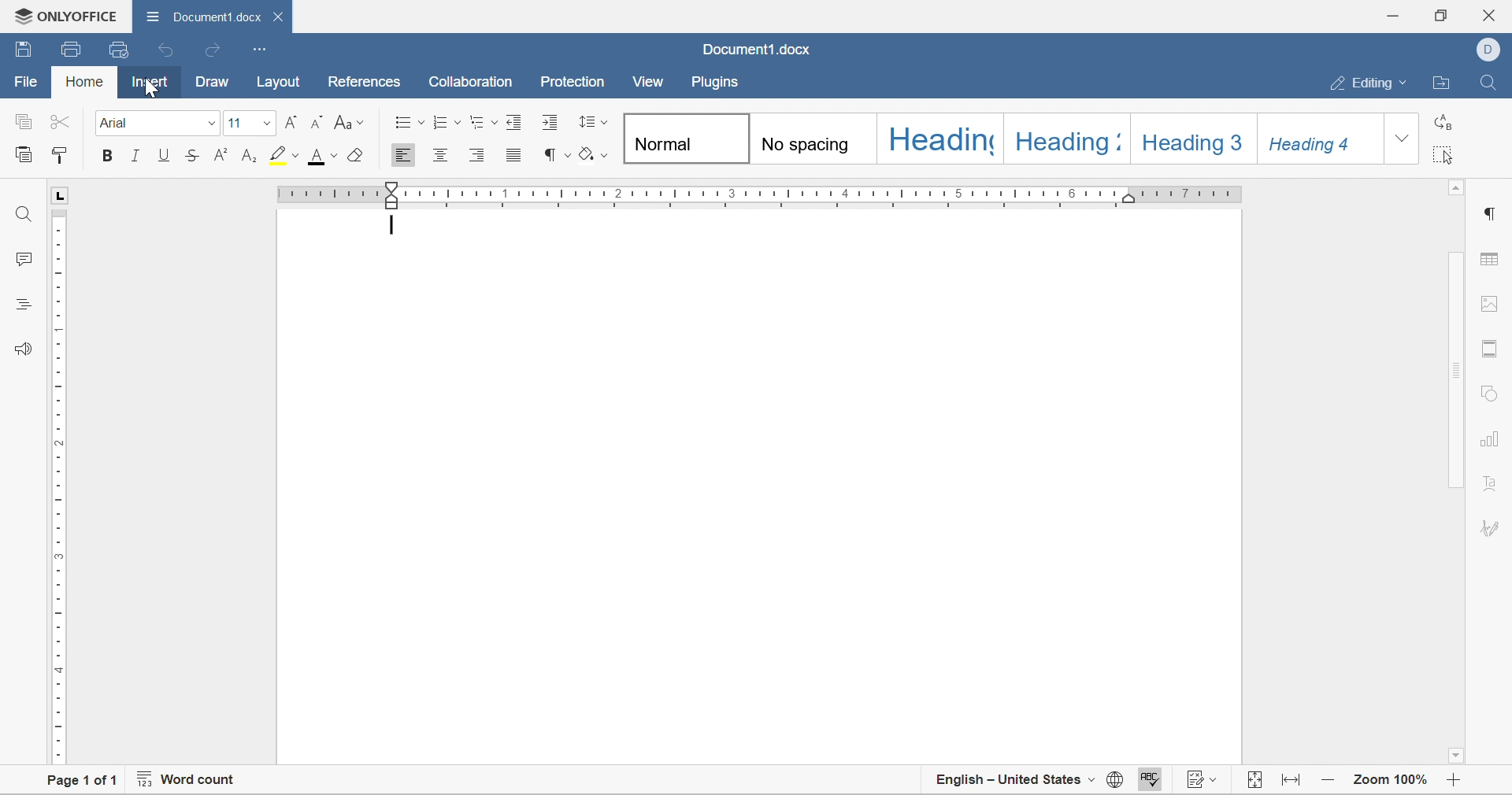 The height and width of the screenshot is (795, 1512). I want to click on Nonprinting characters, so click(556, 155).